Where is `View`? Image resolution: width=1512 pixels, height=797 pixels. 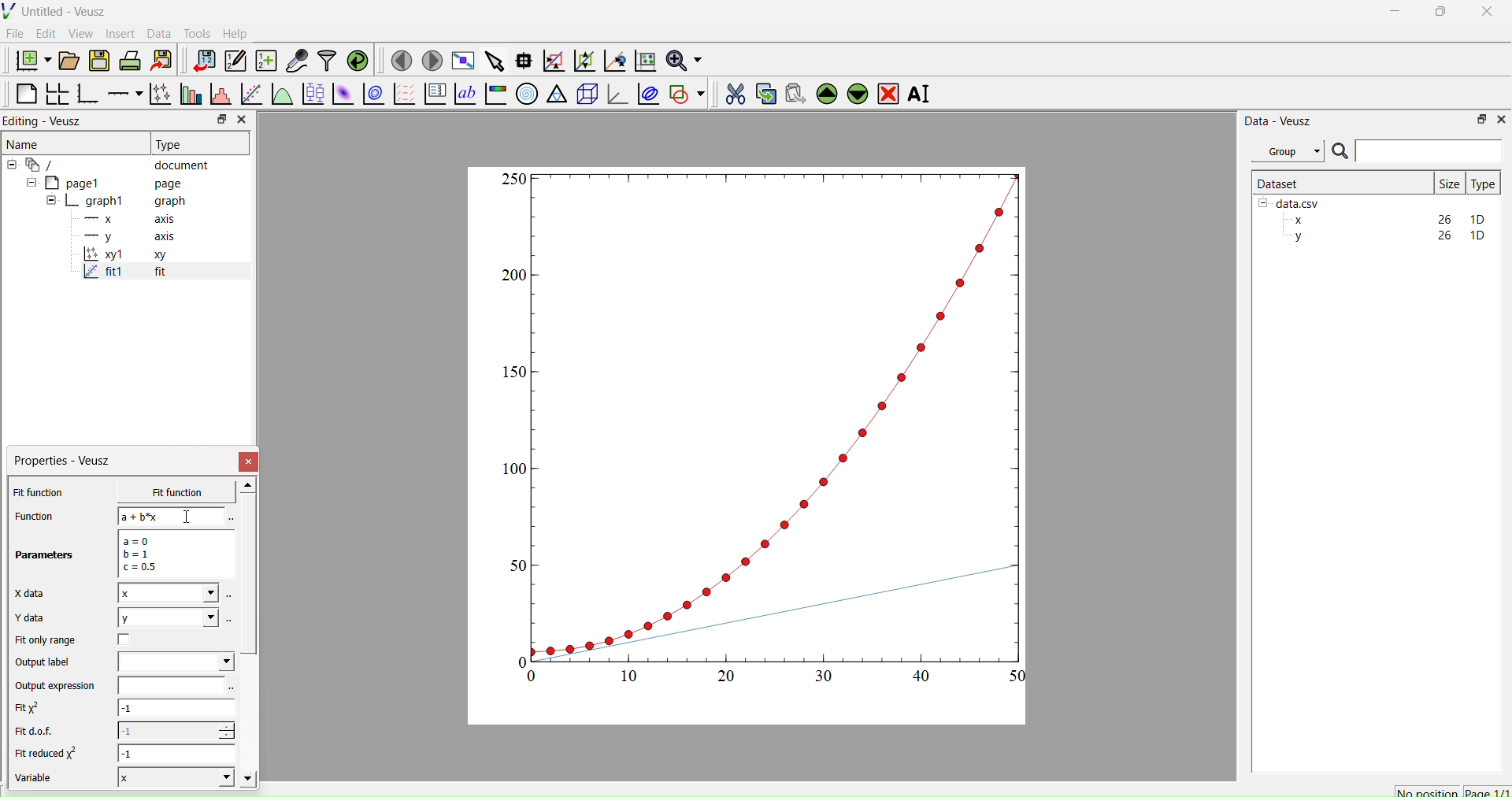 View is located at coordinates (80, 32).